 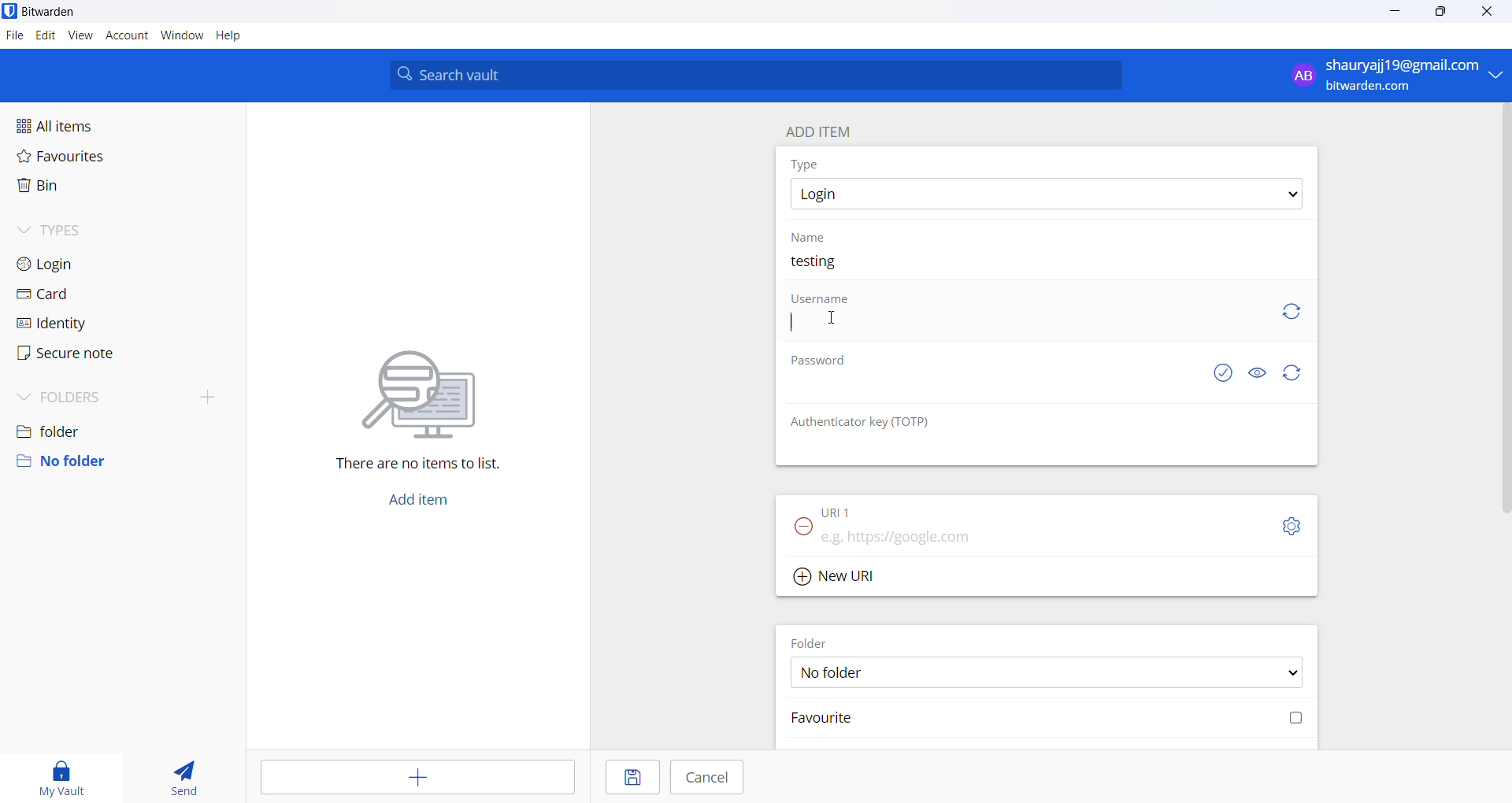 I want to click on edit, so click(x=43, y=35).